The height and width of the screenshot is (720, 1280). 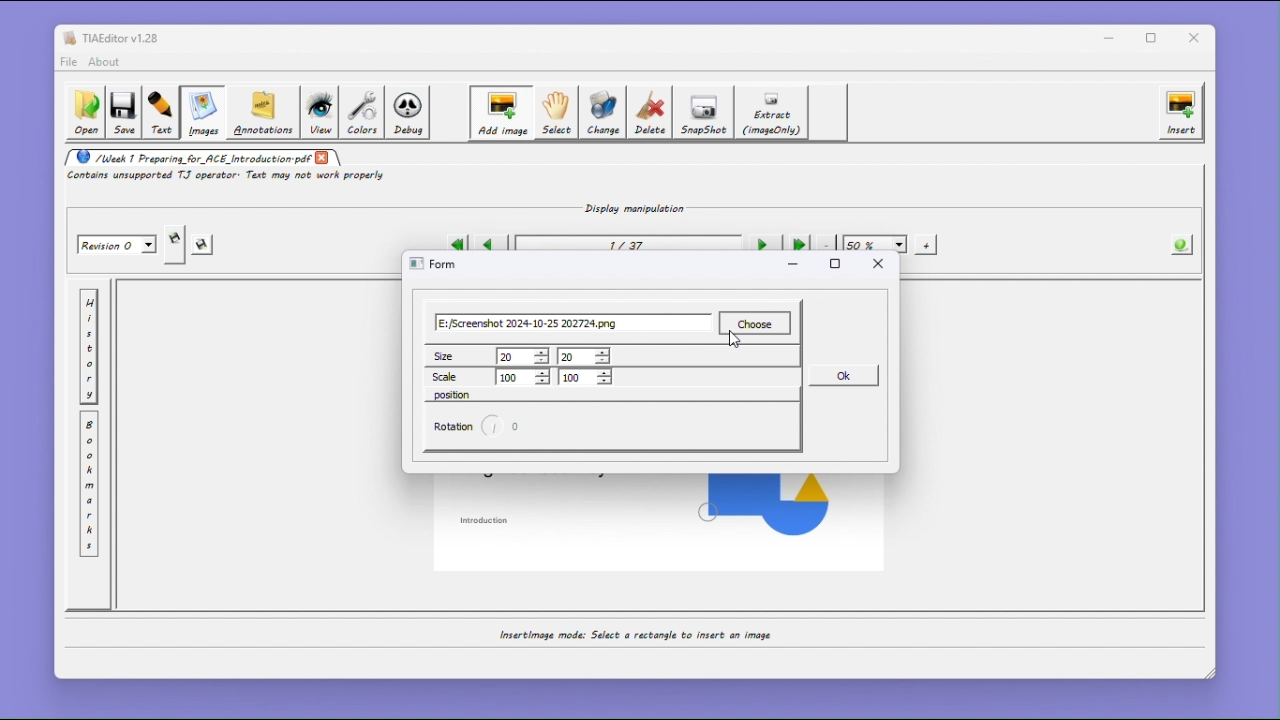 What do you see at coordinates (123, 114) in the screenshot?
I see `save` at bounding box center [123, 114].